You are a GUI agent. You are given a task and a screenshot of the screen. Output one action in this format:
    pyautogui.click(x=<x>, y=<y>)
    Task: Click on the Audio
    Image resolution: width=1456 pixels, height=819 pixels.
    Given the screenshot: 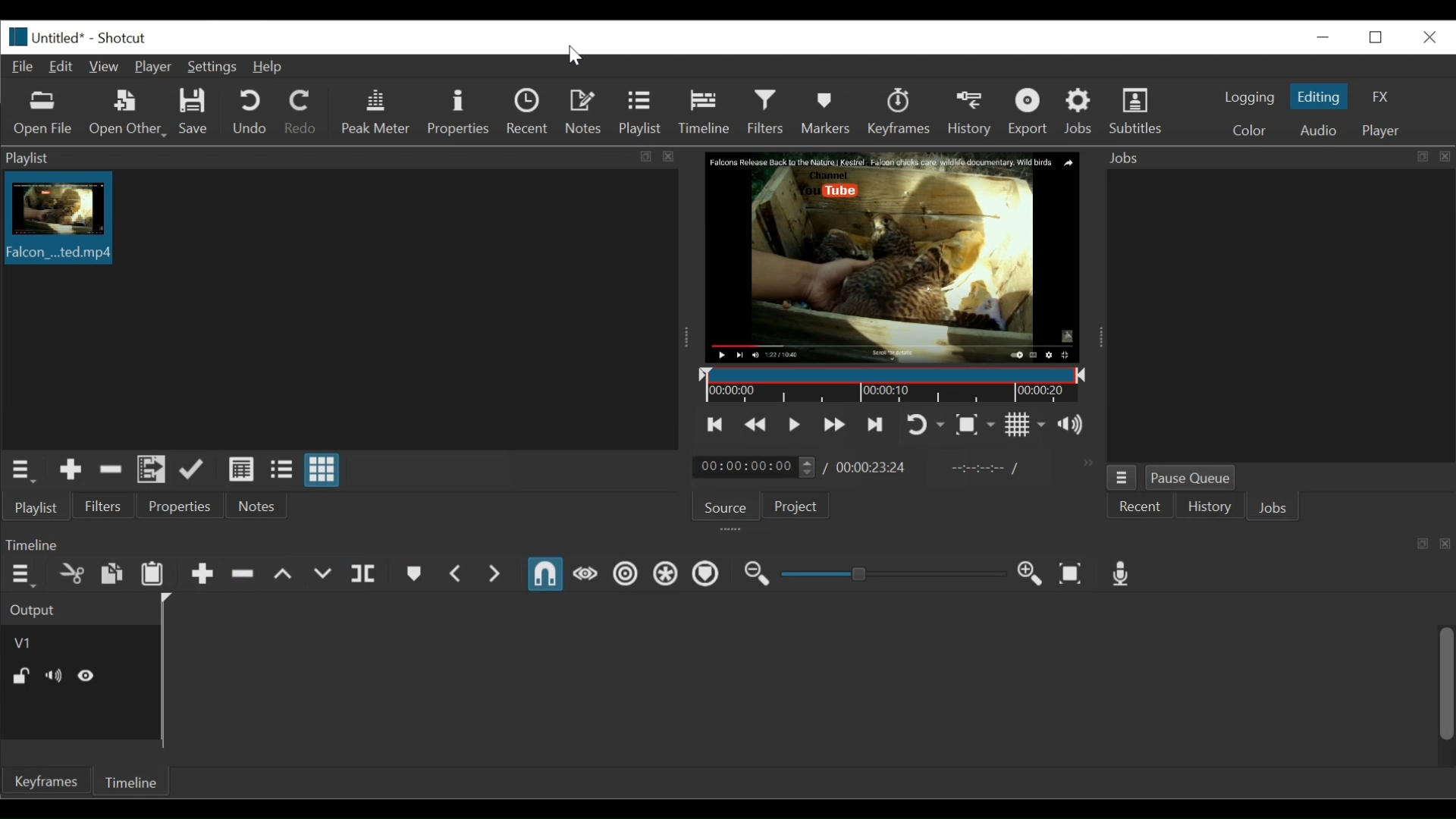 What is the action you would take?
    pyautogui.click(x=1316, y=129)
    